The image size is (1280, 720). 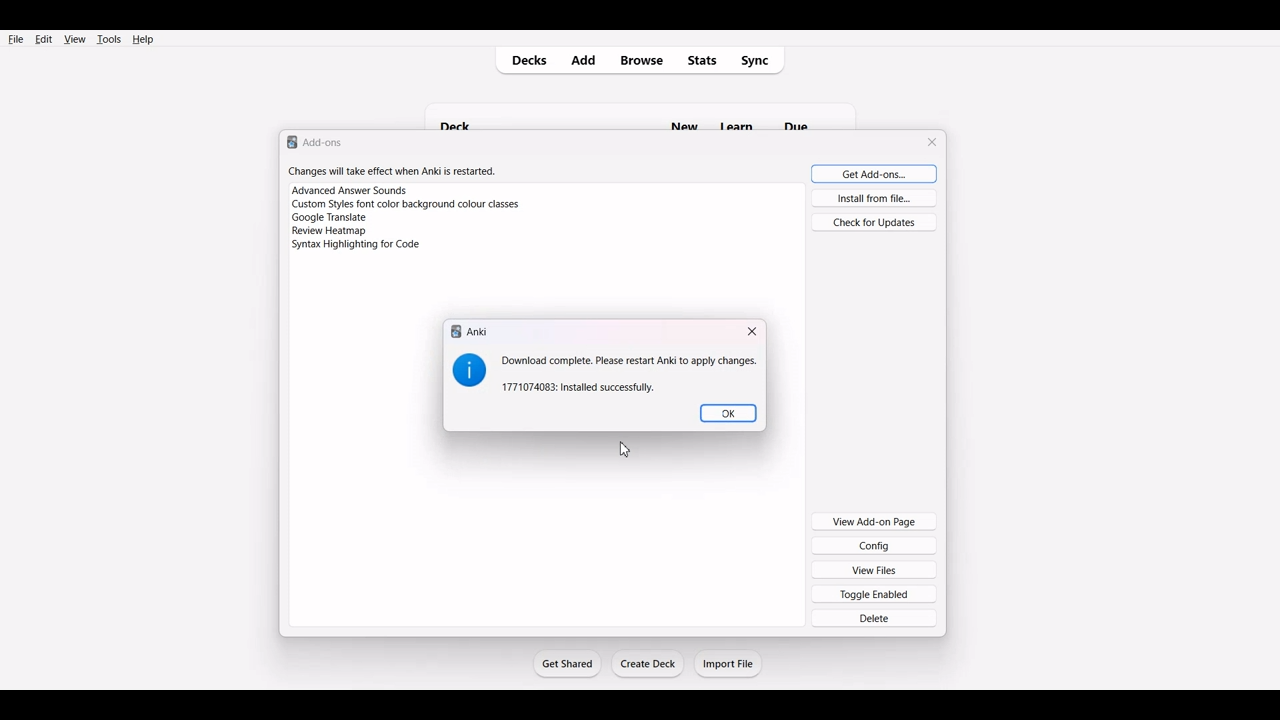 What do you see at coordinates (626, 448) in the screenshot?
I see `Cursor` at bounding box center [626, 448].